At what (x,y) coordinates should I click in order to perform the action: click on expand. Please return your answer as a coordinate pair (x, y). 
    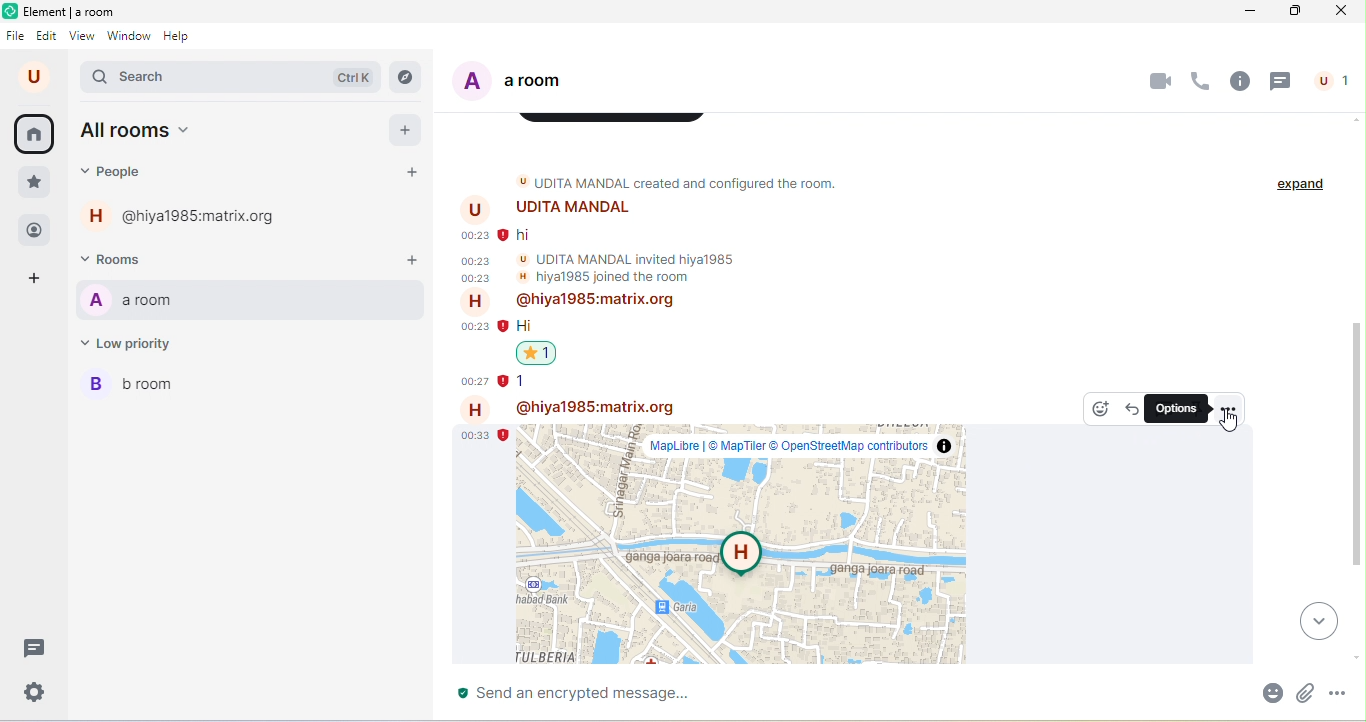
    Looking at the image, I should click on (1301, 185).